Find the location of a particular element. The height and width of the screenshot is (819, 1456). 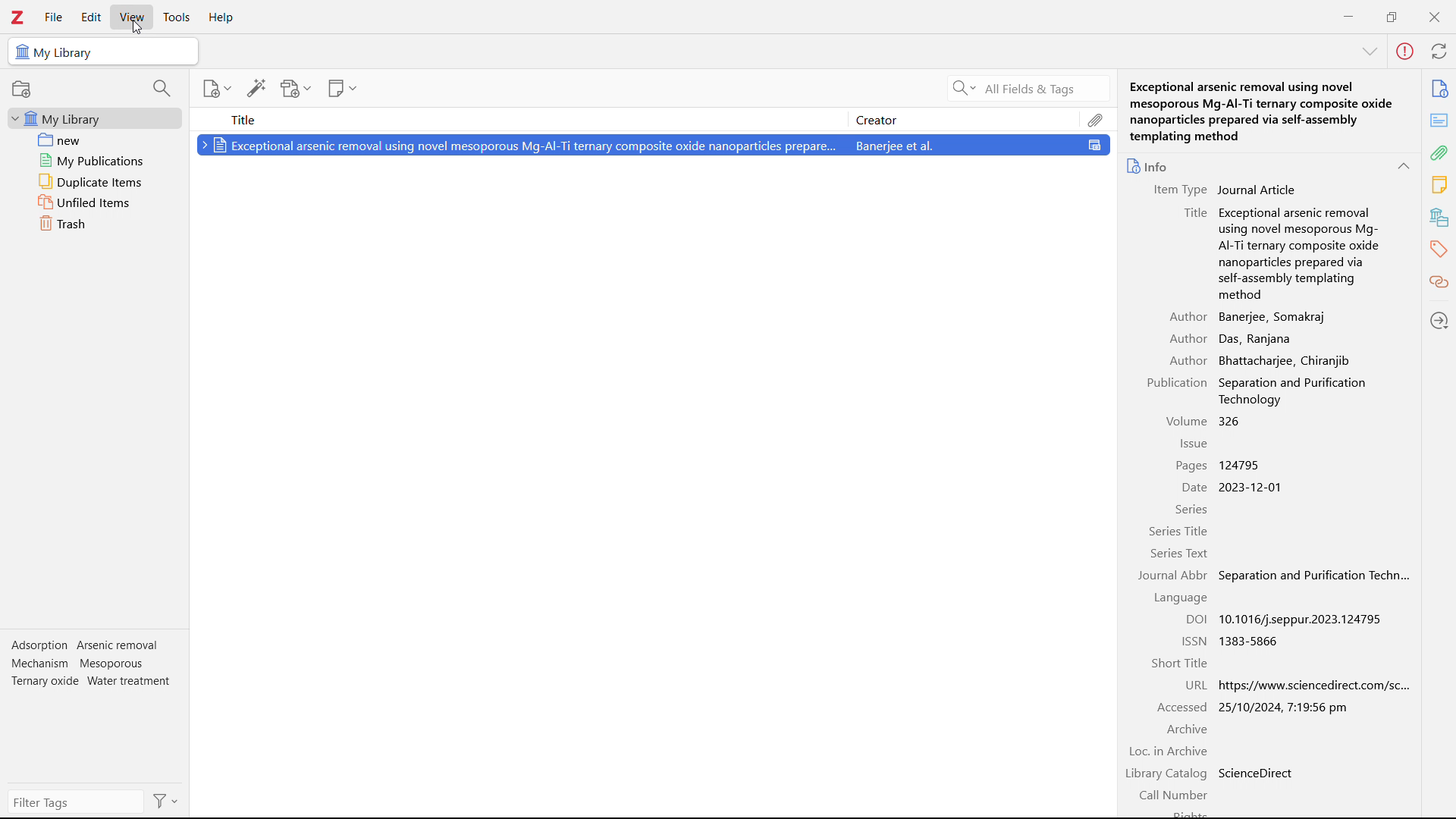

cursor is located at coordinates (137, 26).